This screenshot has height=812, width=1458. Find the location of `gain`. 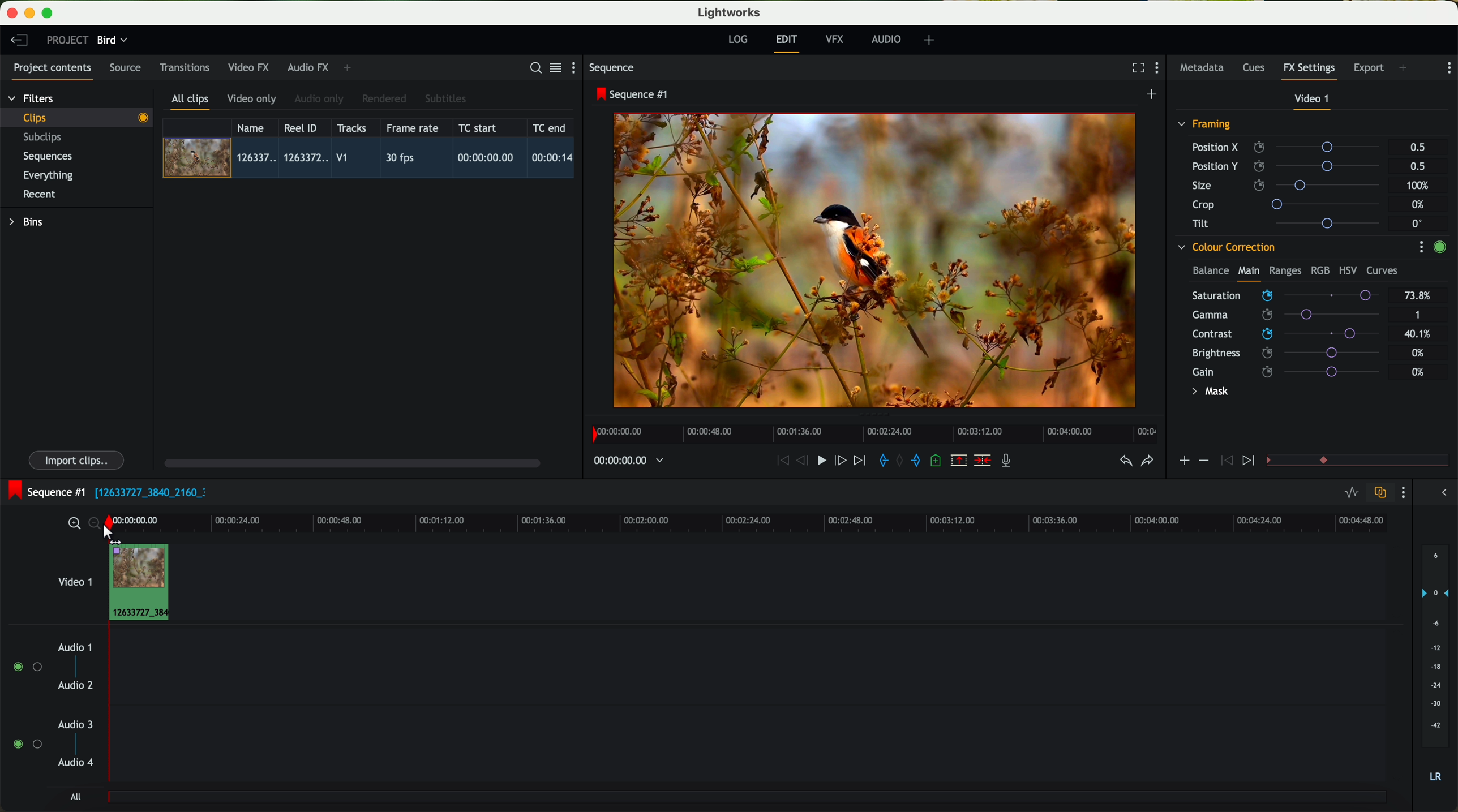

gain is located at coordinates (1293, 371).